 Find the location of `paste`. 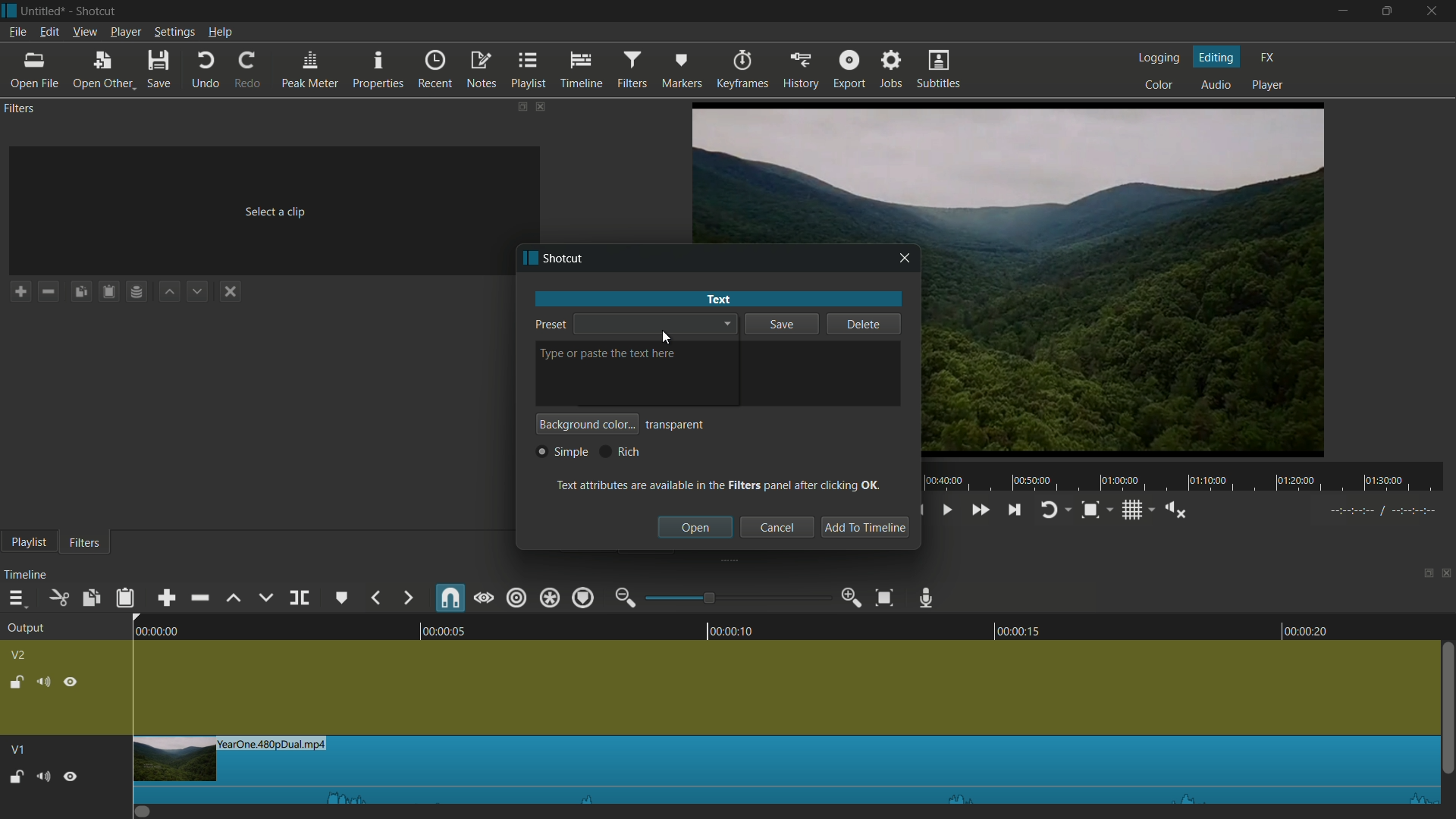

paste is located at coordinates (124, 597).